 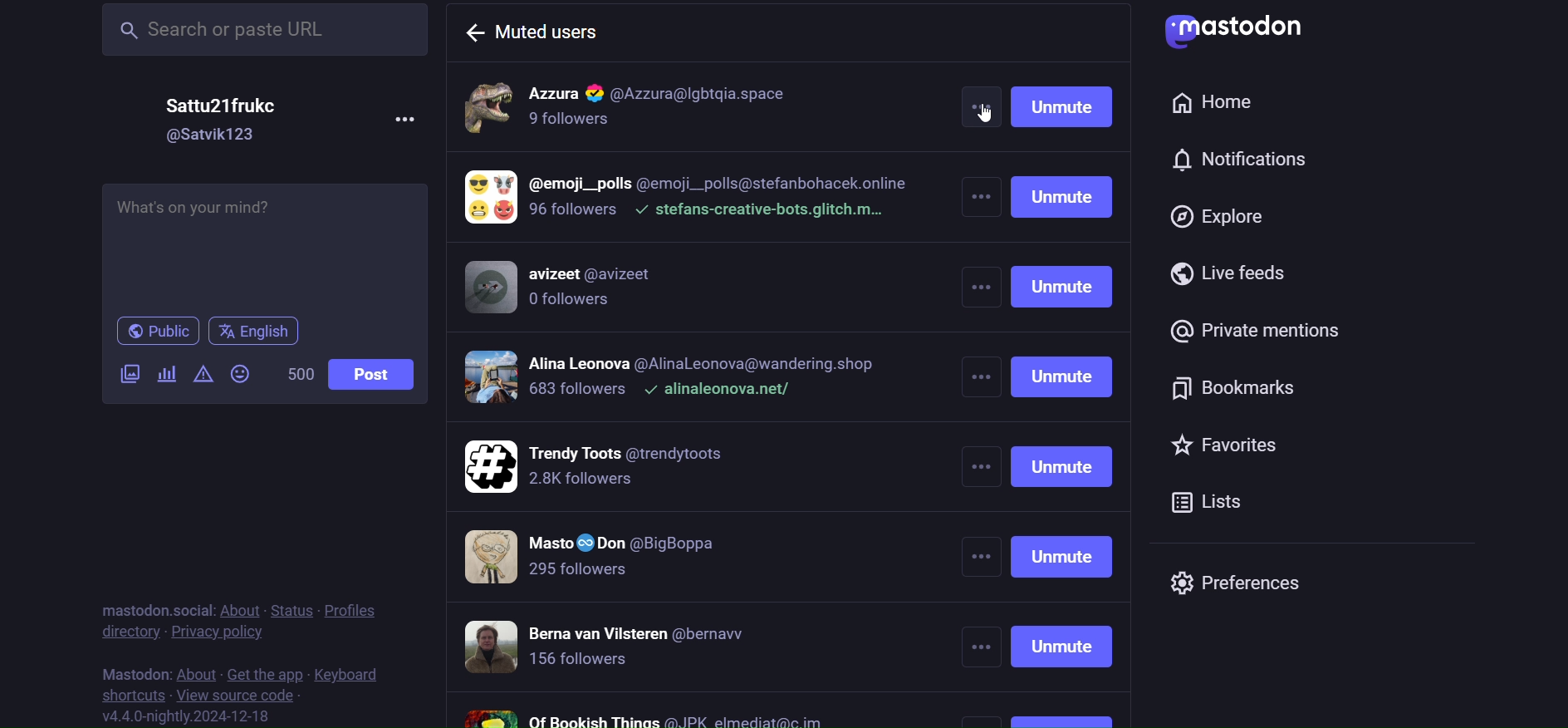 I want to click on content warning, so click(x=202, y=371).